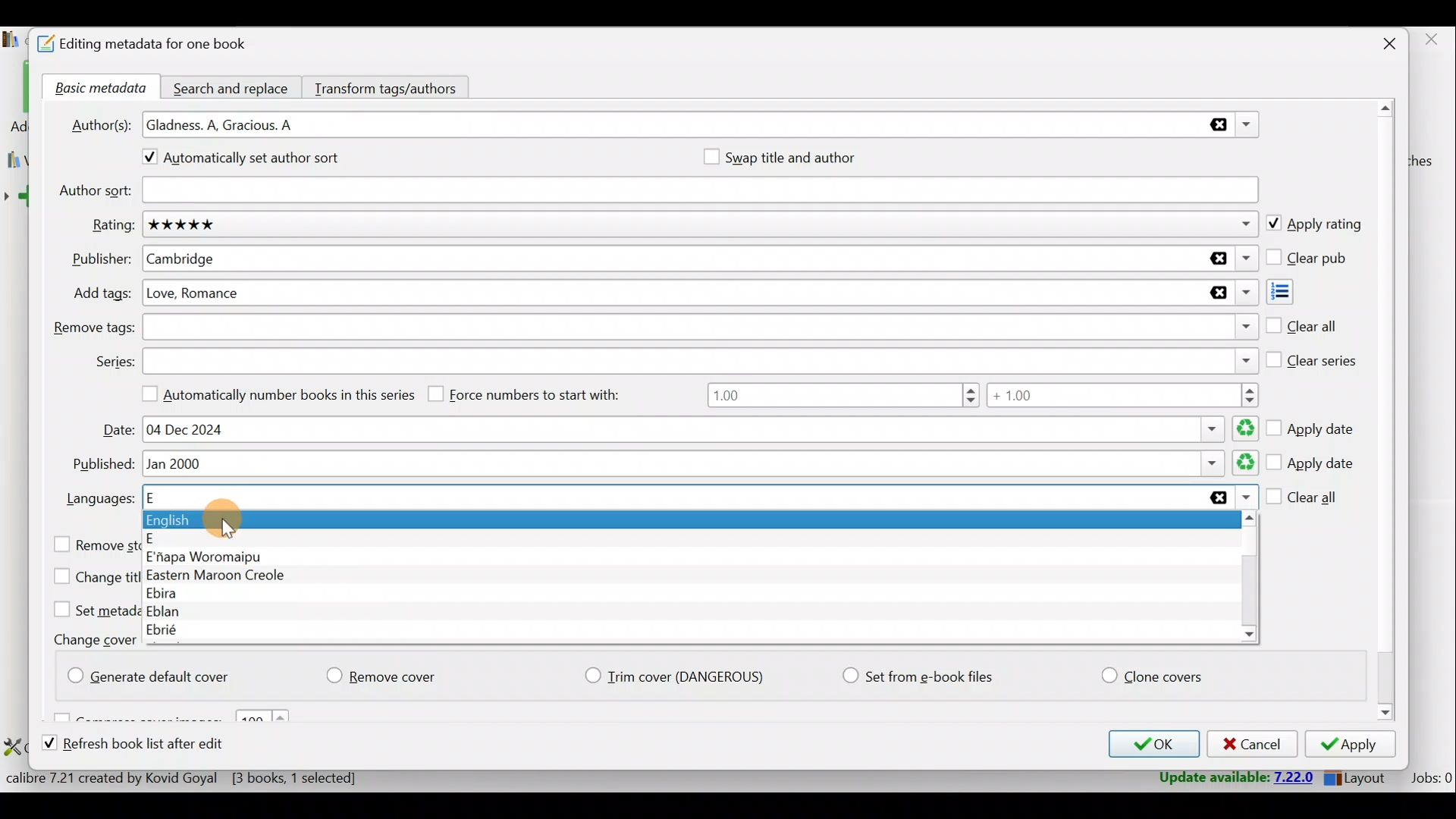  I want to click on Swap title and author, so click(808, 157).